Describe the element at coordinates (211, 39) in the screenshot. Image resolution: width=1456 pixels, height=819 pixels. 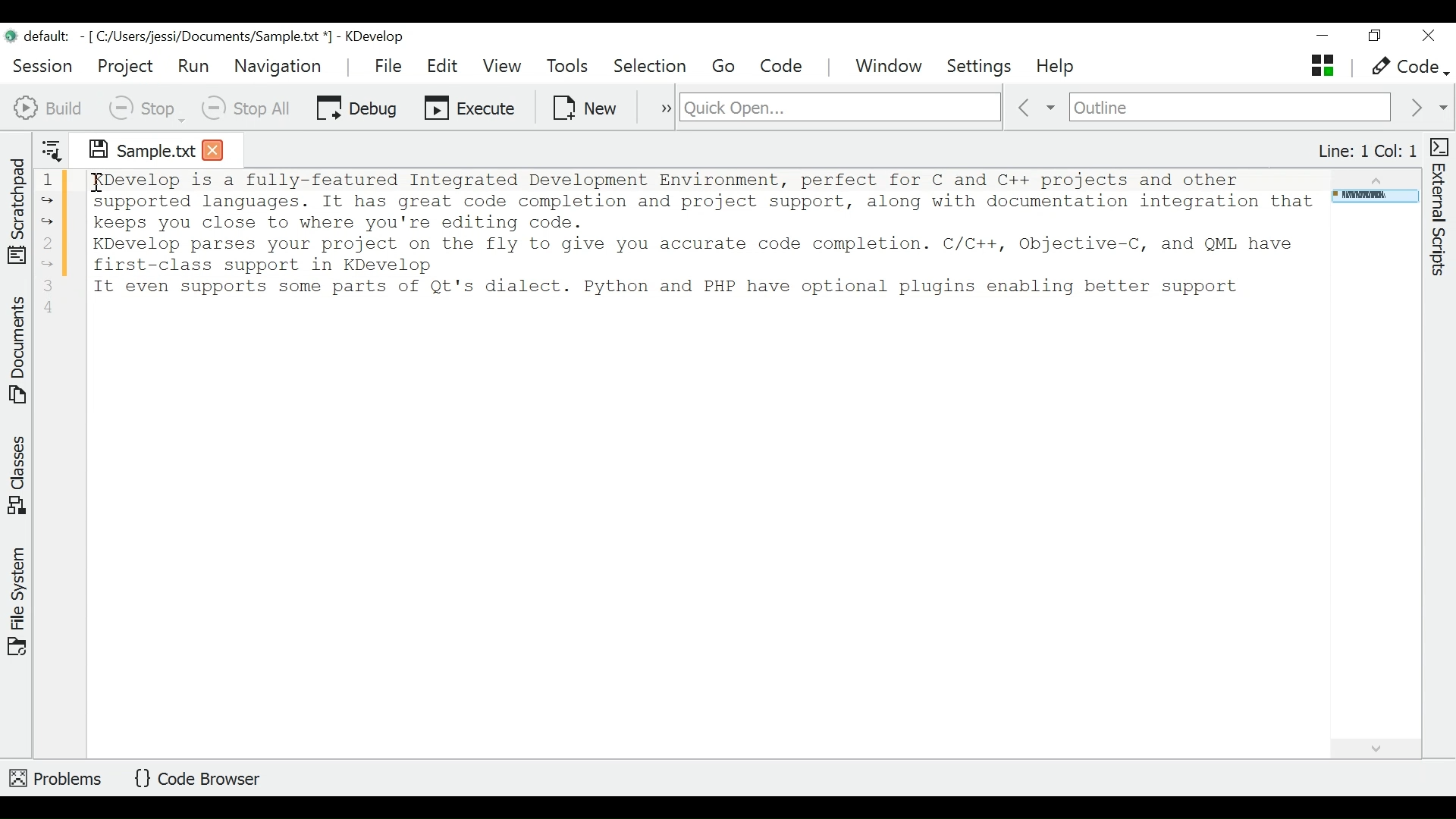
I see `default - [C:/Users/jessi/Documents/Sample.txt*] - KDevelop` at that location.